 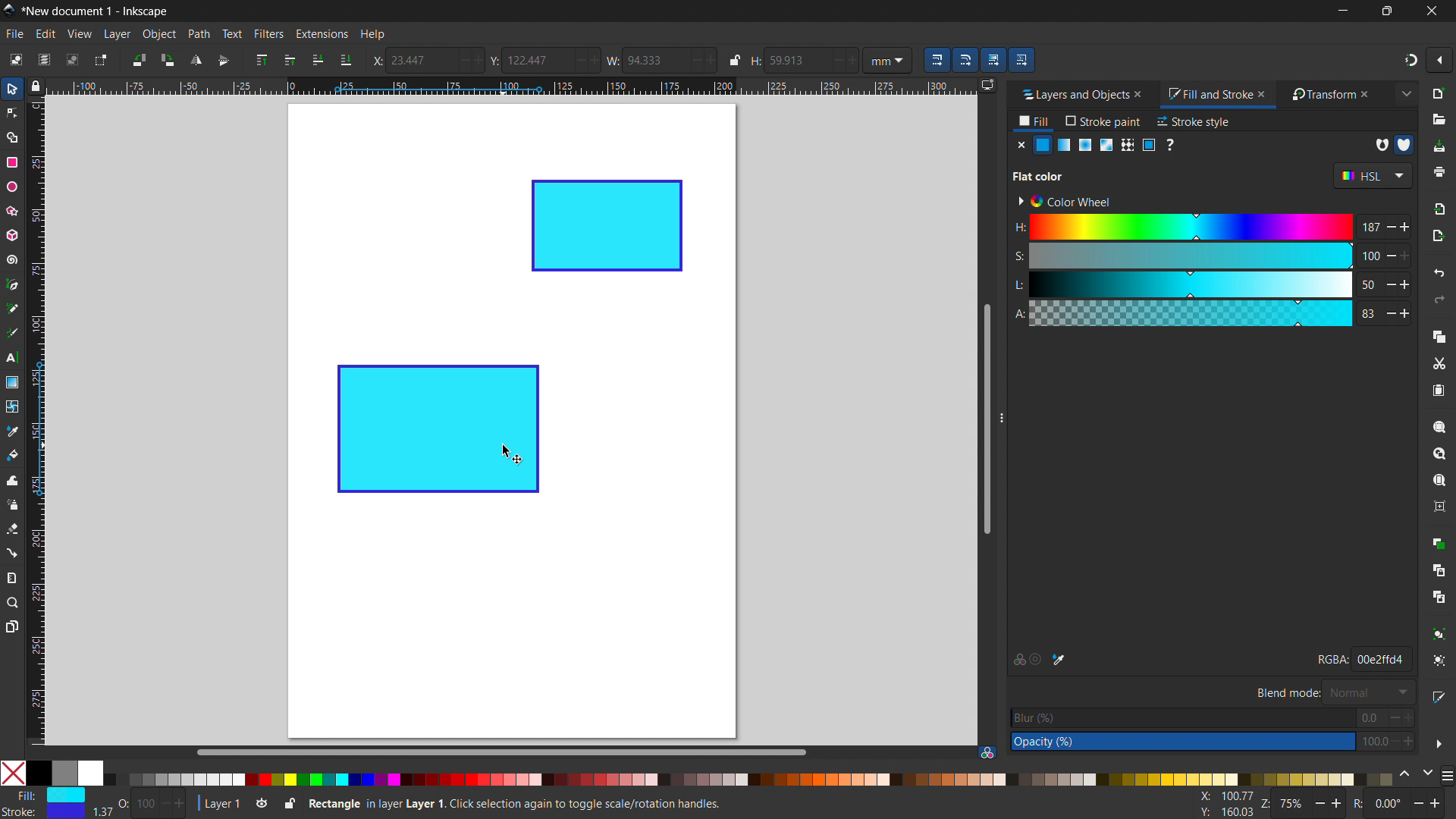 I want to click on Decrease/minus, so click(x=691, y=59).